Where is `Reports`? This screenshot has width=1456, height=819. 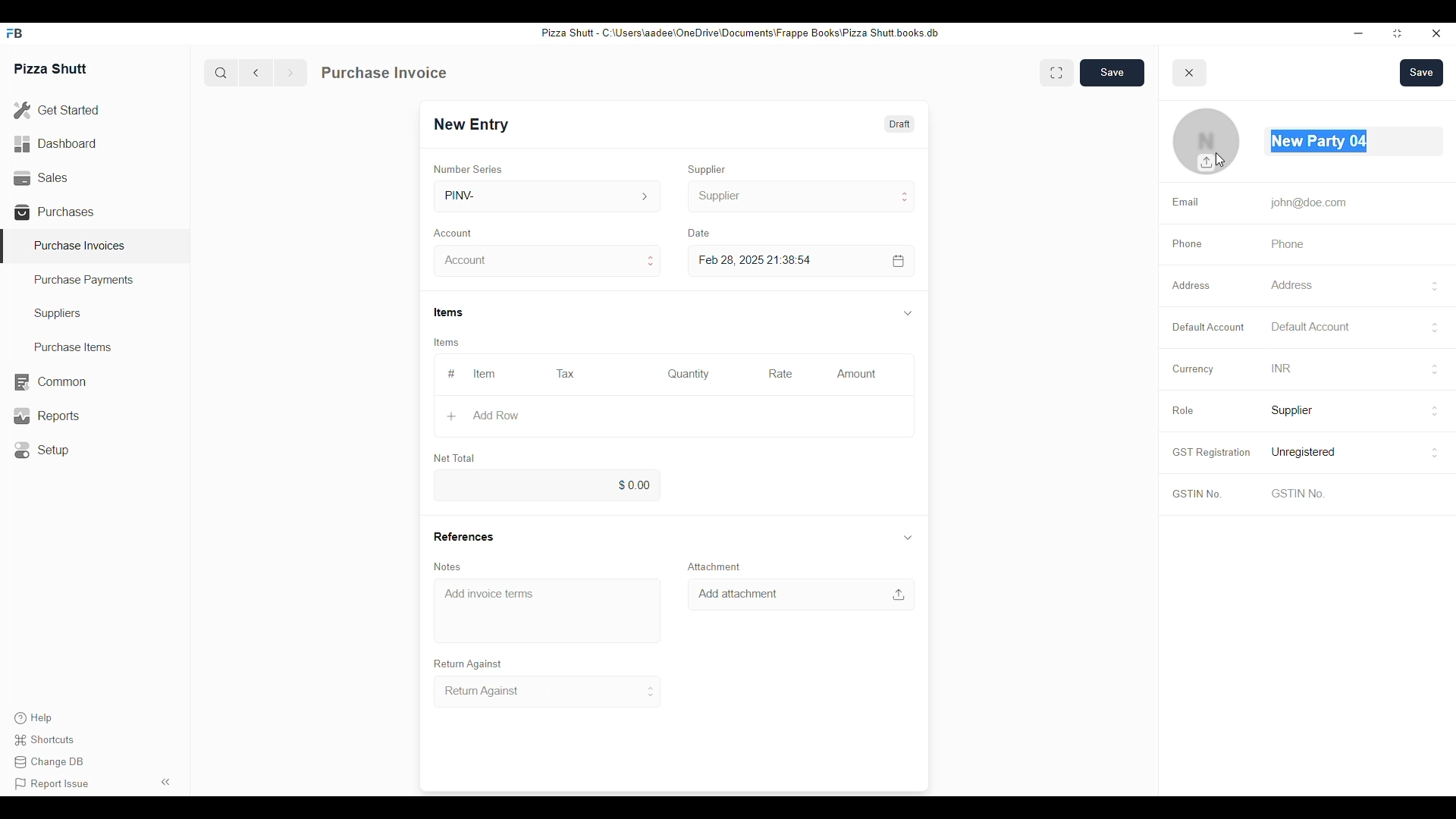
Reports is located at coordinates (45, 416).